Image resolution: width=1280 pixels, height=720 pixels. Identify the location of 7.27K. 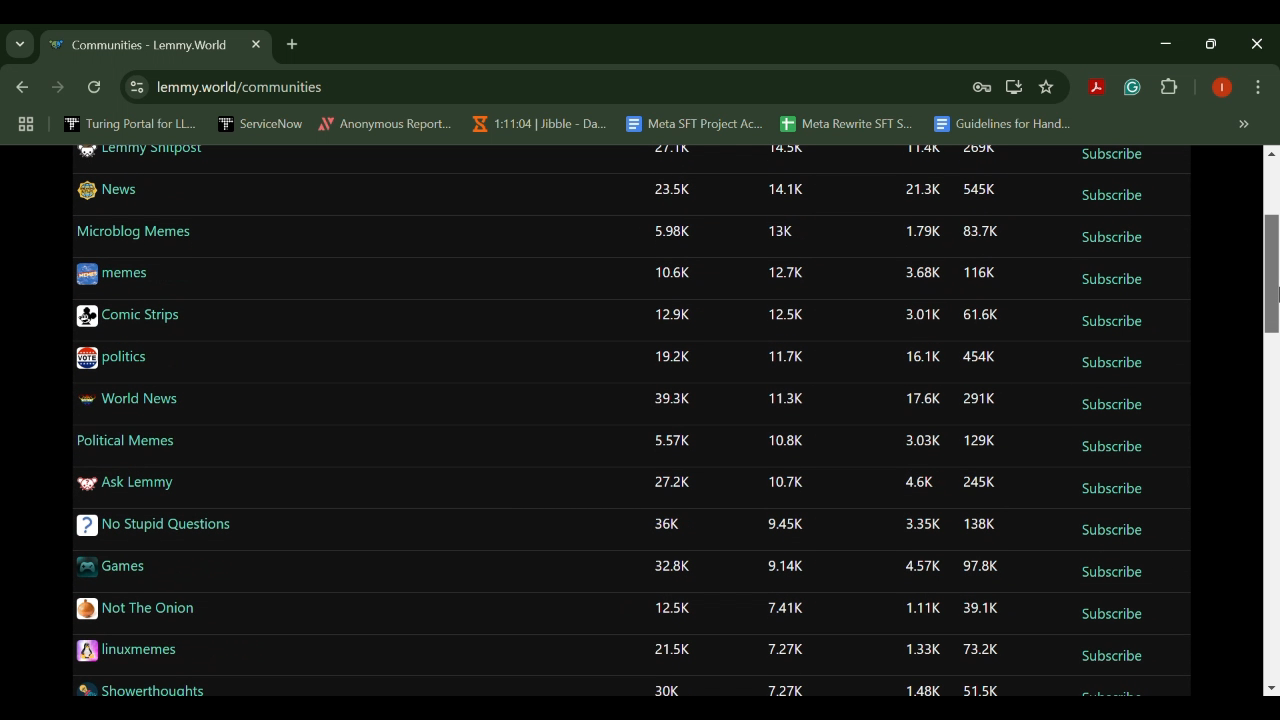
(778, 692).